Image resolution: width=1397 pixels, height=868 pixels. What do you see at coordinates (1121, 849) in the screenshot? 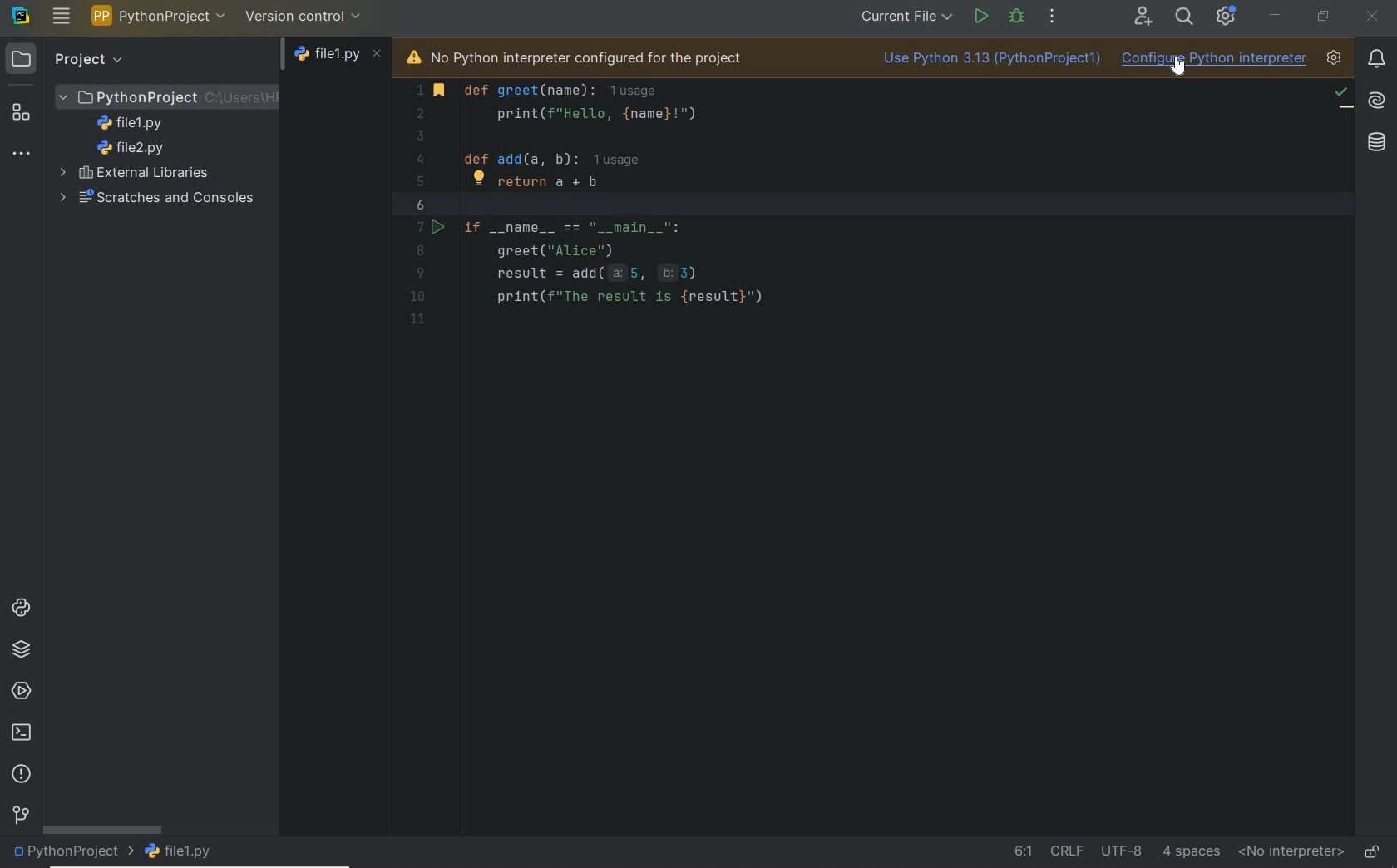
I see `file encoding` at bounding box center [1121, 849].